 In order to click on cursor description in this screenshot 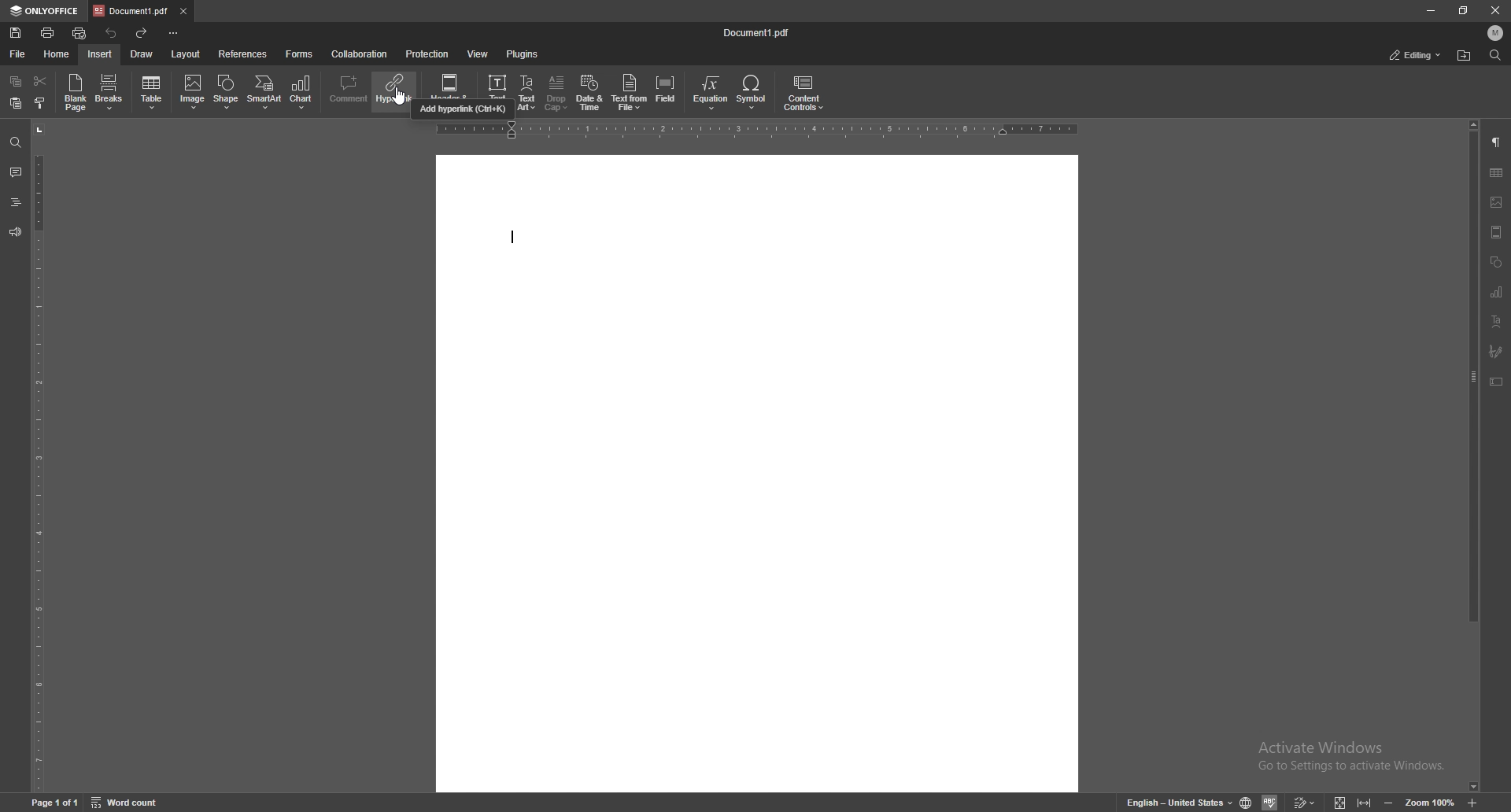, I will do `click(464, 110)`.